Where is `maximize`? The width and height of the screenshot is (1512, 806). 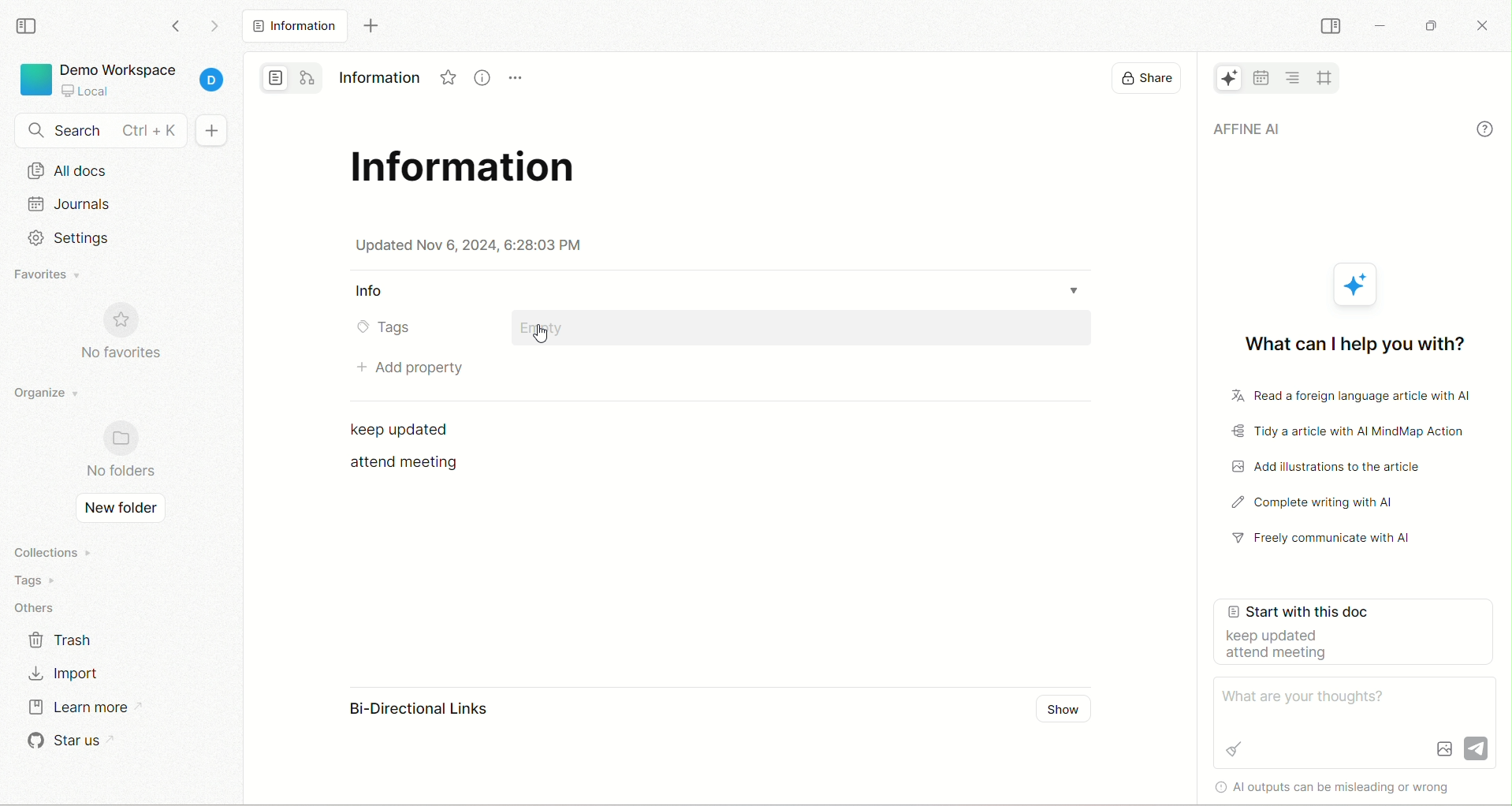 maximize is located at coordinates (1434, 22).